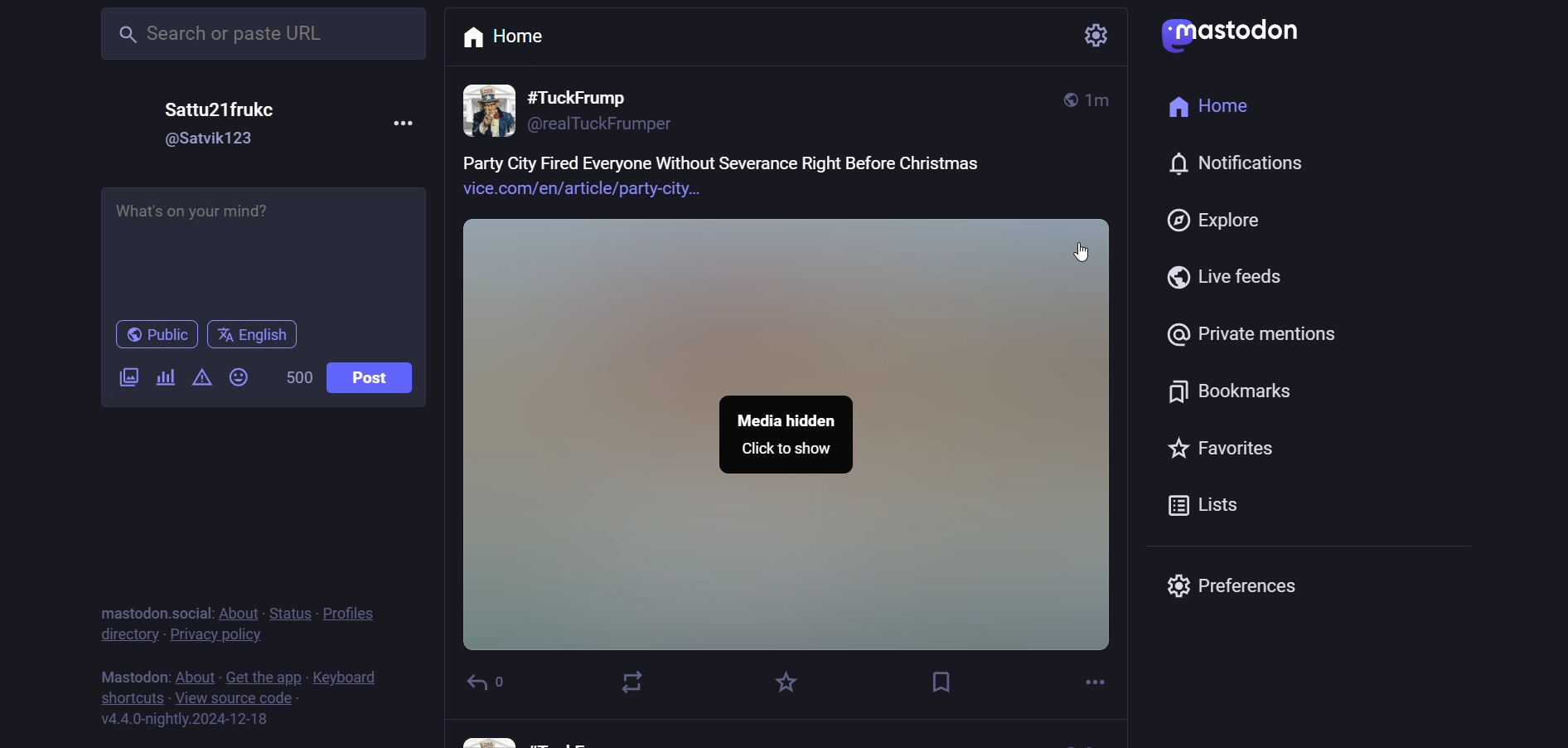 This screenshot has height=748, width=1568. I want to click on word limit, so click(296, 375).